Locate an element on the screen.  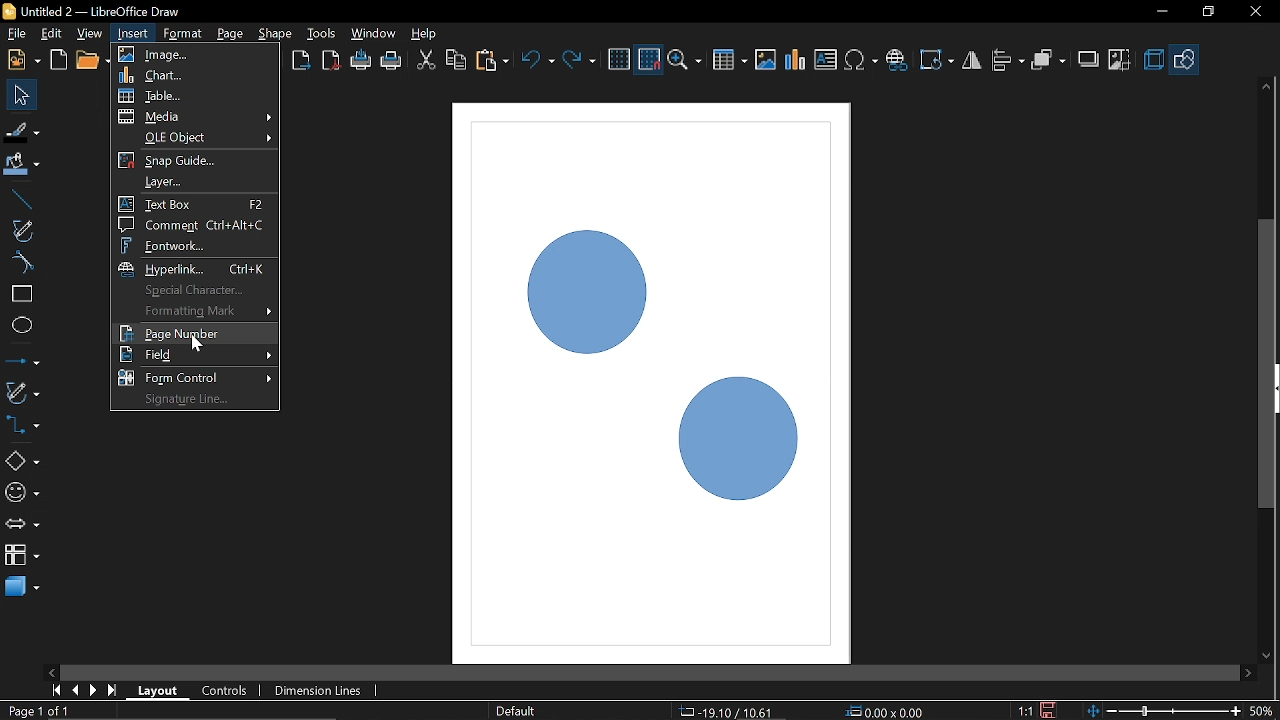
Location is located at coordinates (723, 710).